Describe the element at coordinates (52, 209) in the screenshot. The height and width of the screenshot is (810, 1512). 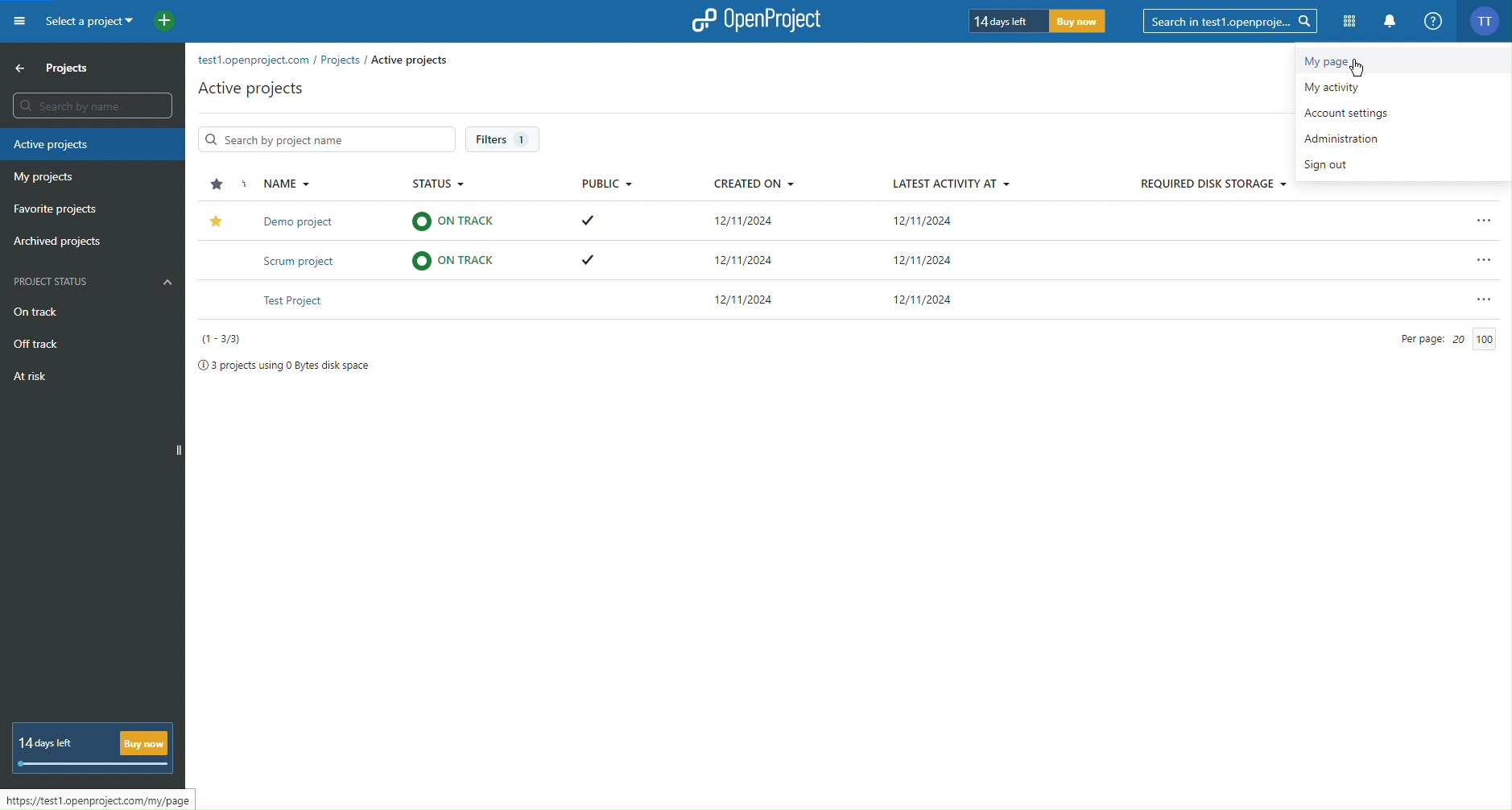
I see `Favorite projects` at that location.